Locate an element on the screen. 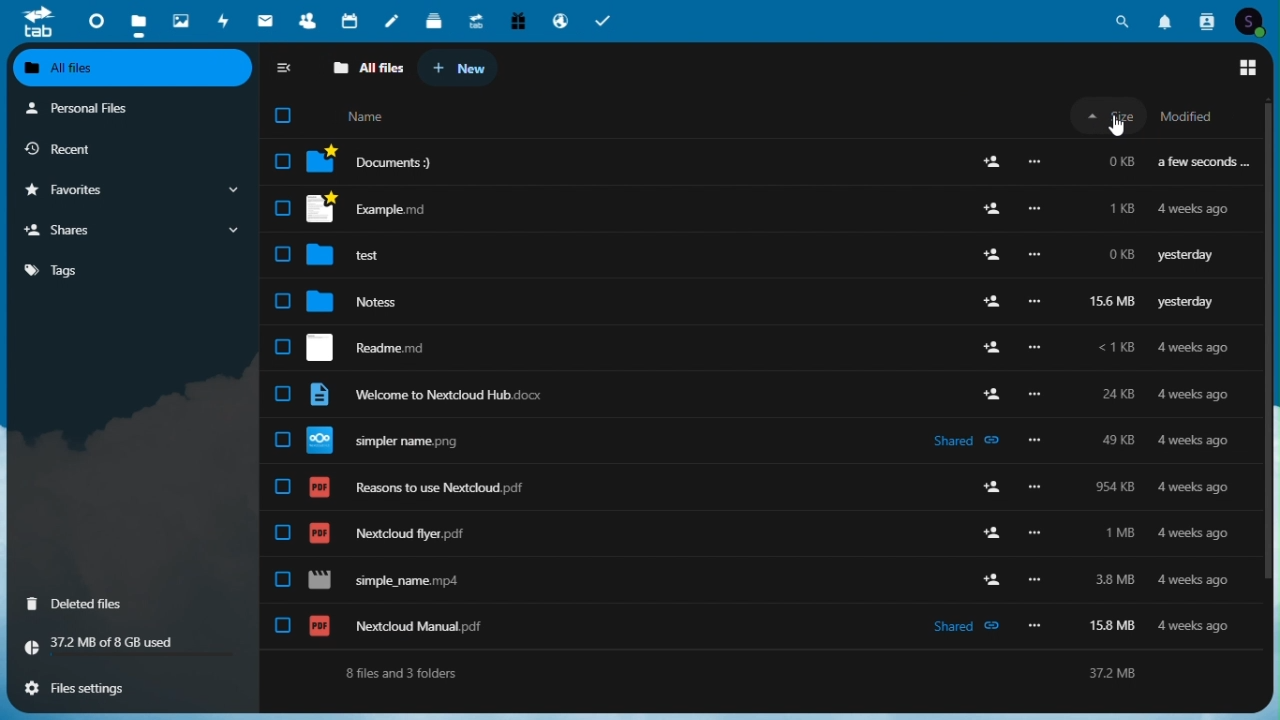 This screenshot has height=720, width=1280. | Documents?) is located at coordinates (760, 164).